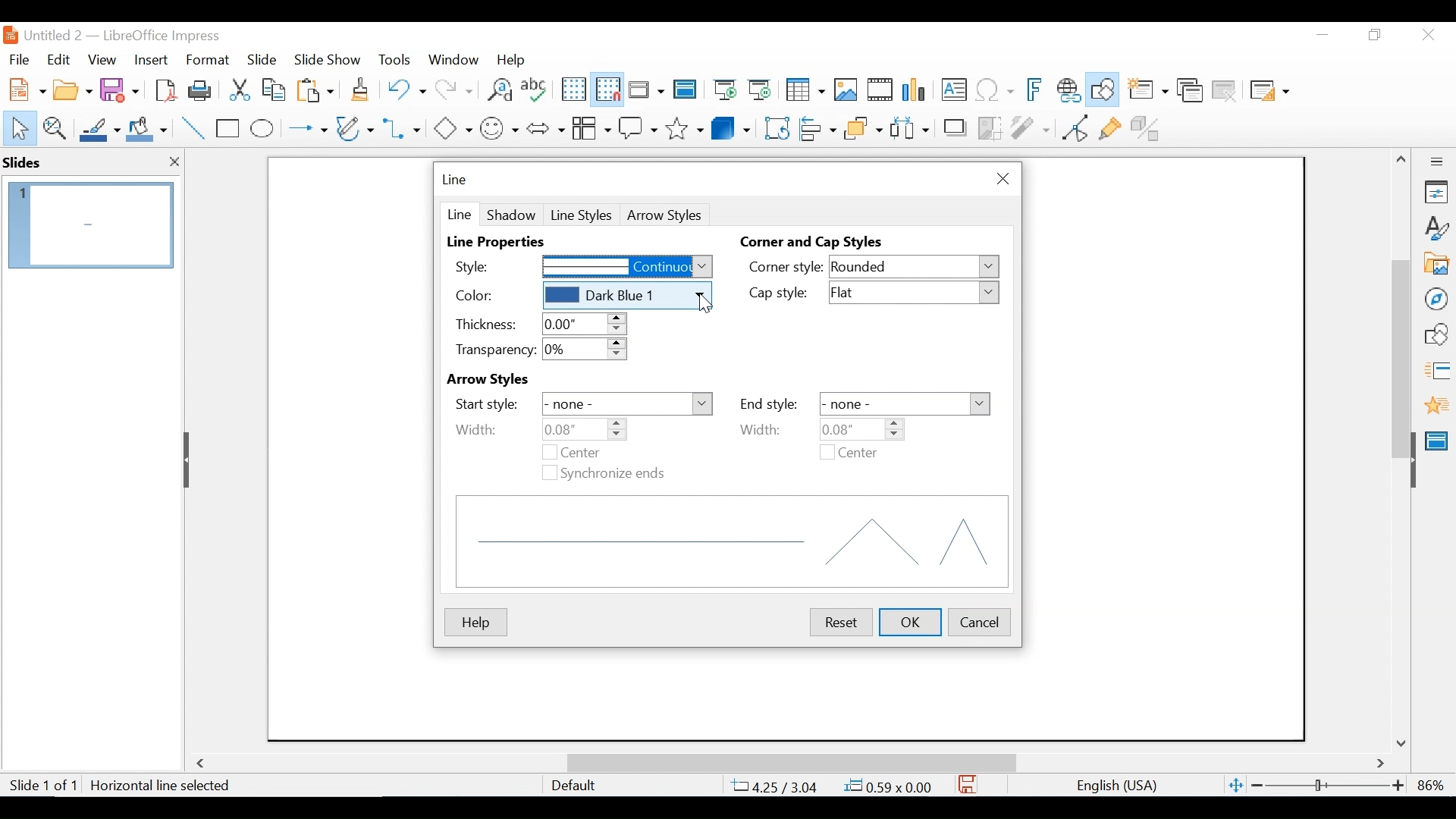  I want to click on File, so click(19, 58).